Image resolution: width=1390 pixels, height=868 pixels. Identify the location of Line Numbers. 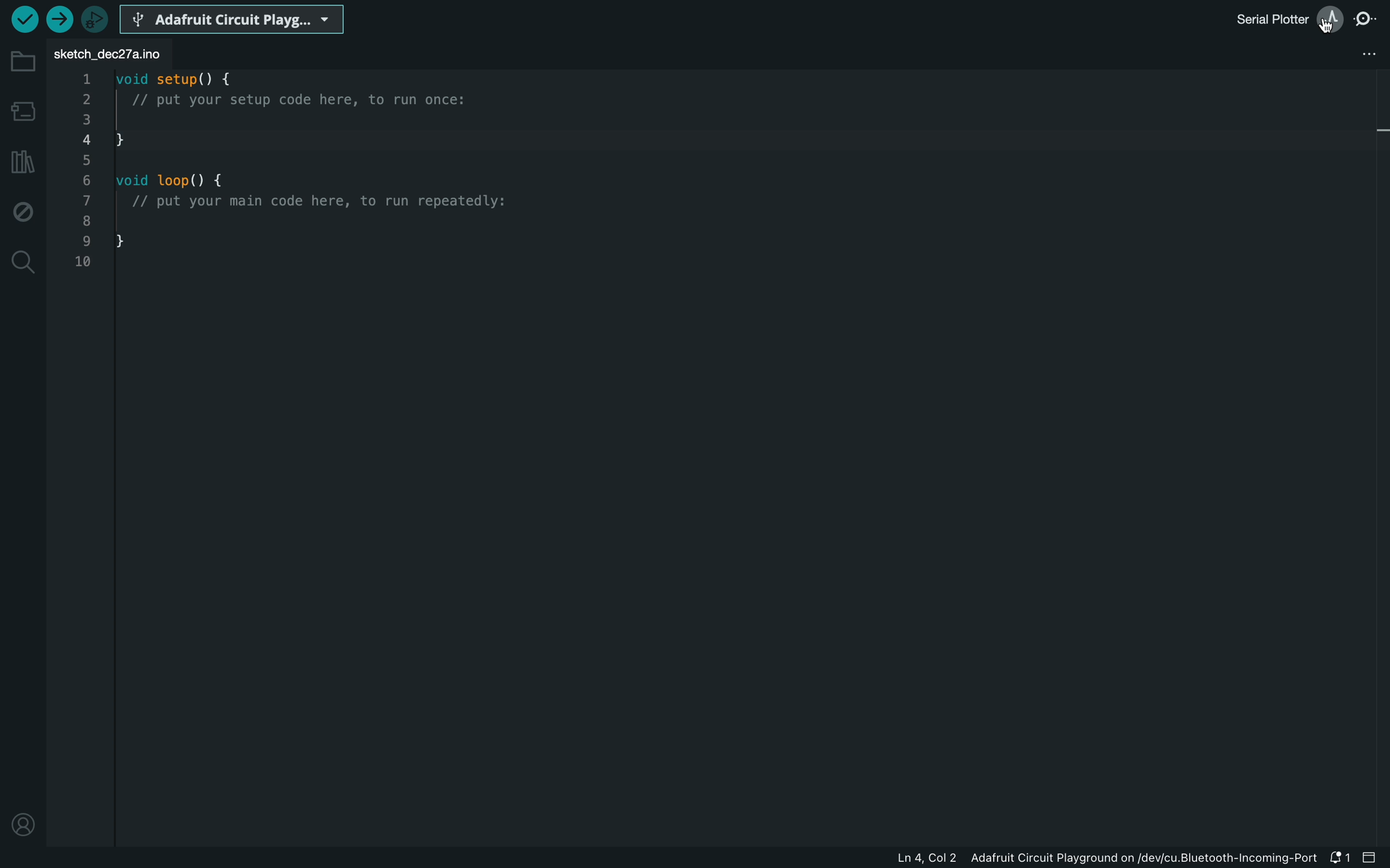
(86, 172).